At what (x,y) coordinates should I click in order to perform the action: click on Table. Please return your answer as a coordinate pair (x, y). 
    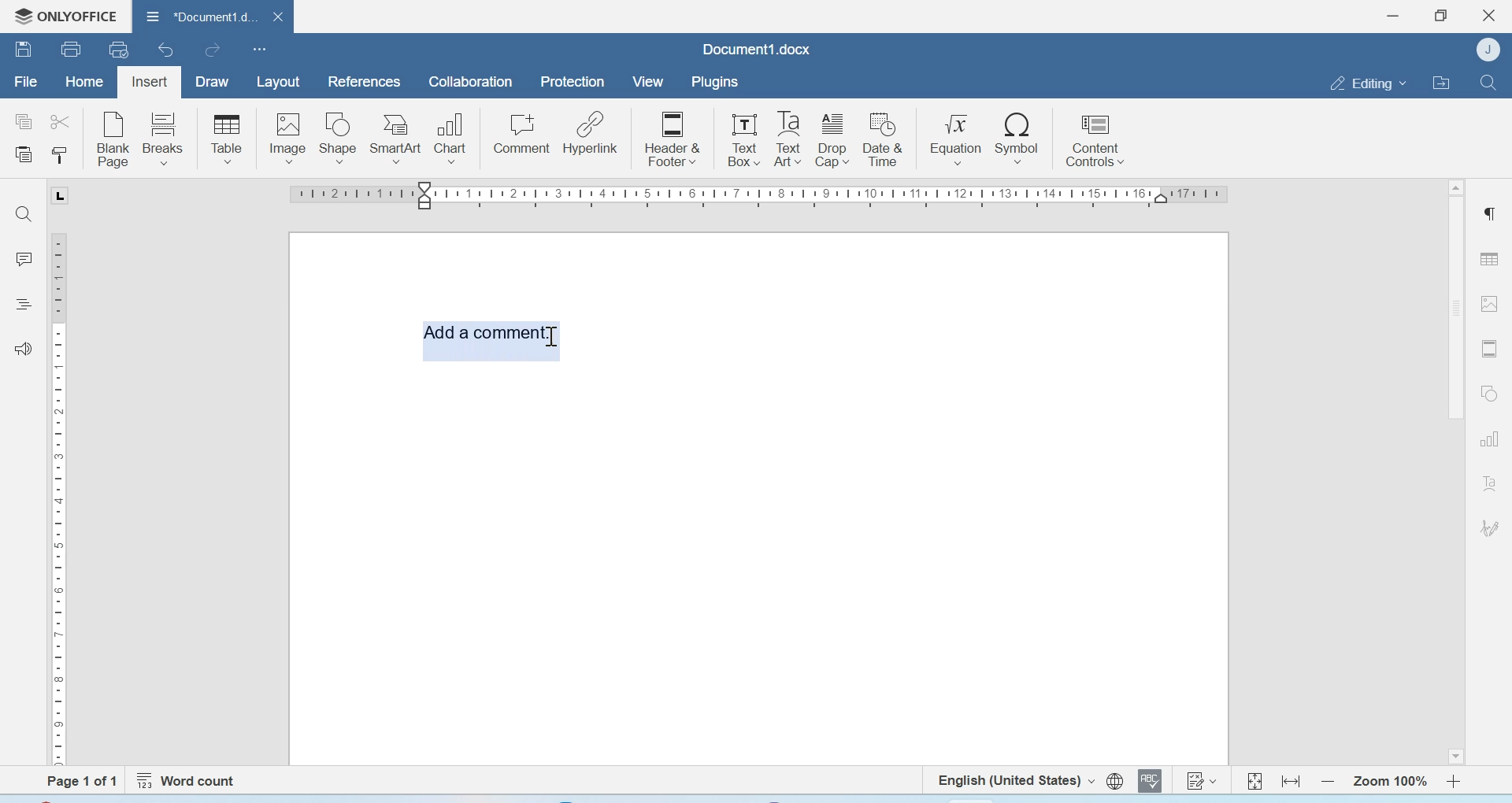
    Looking at the image, I should click on (1489, 258).